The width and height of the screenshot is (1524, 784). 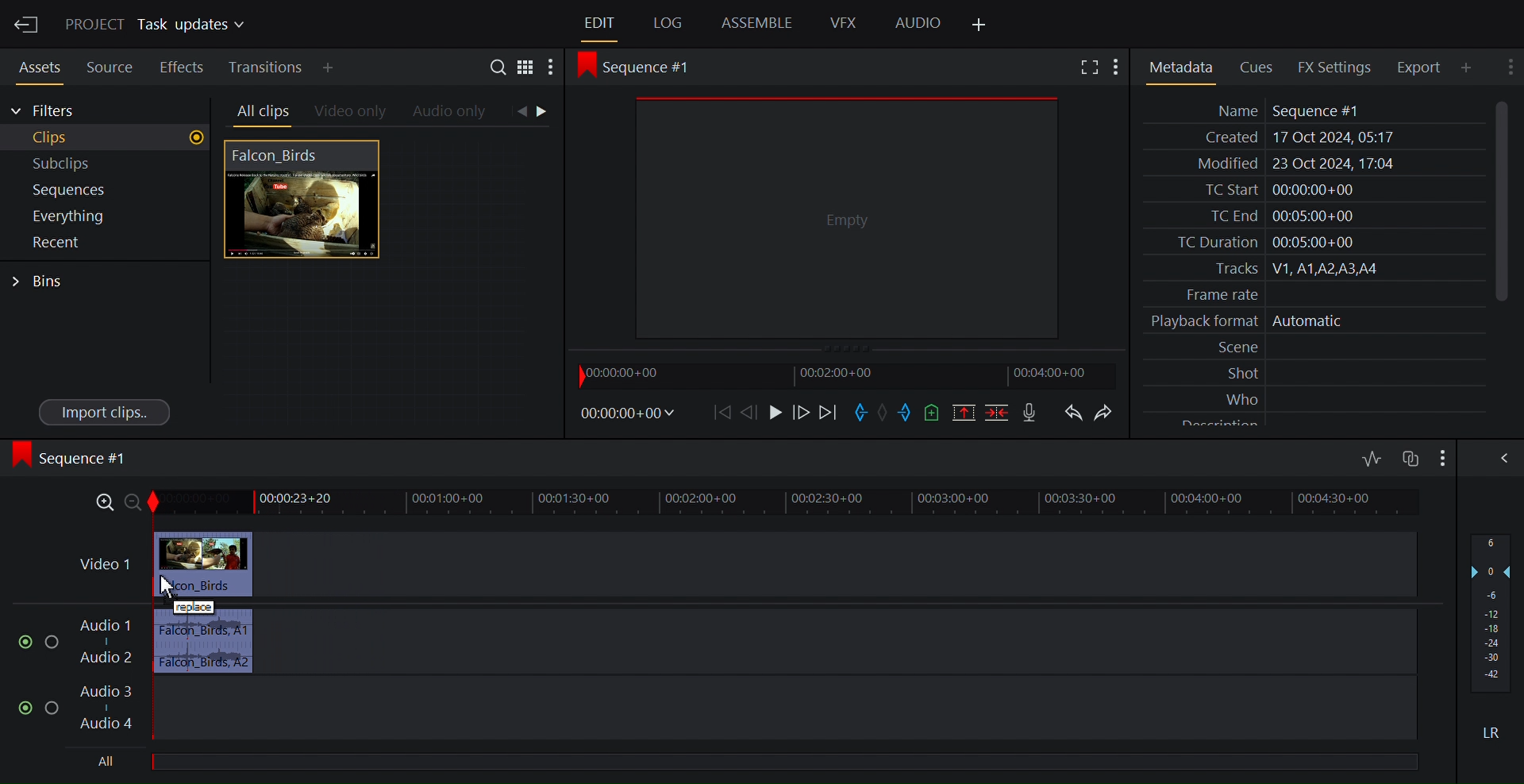 What do you see at coordinates (668, 24) in the screenshot?
I see `Log` at bounding box center [668, 24].